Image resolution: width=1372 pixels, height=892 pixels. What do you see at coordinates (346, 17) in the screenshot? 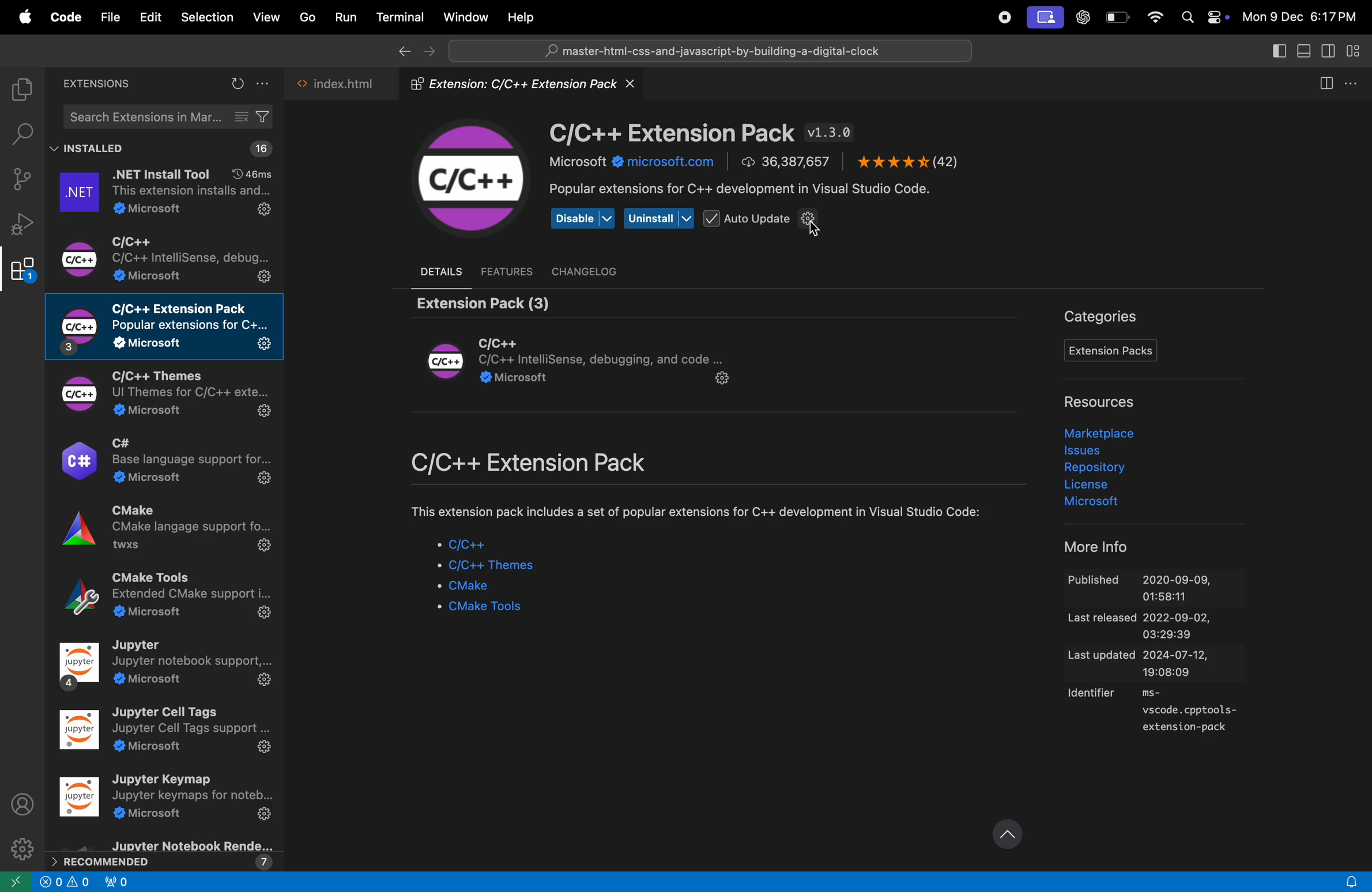
I see `Run` at bounding box center [346, 17].